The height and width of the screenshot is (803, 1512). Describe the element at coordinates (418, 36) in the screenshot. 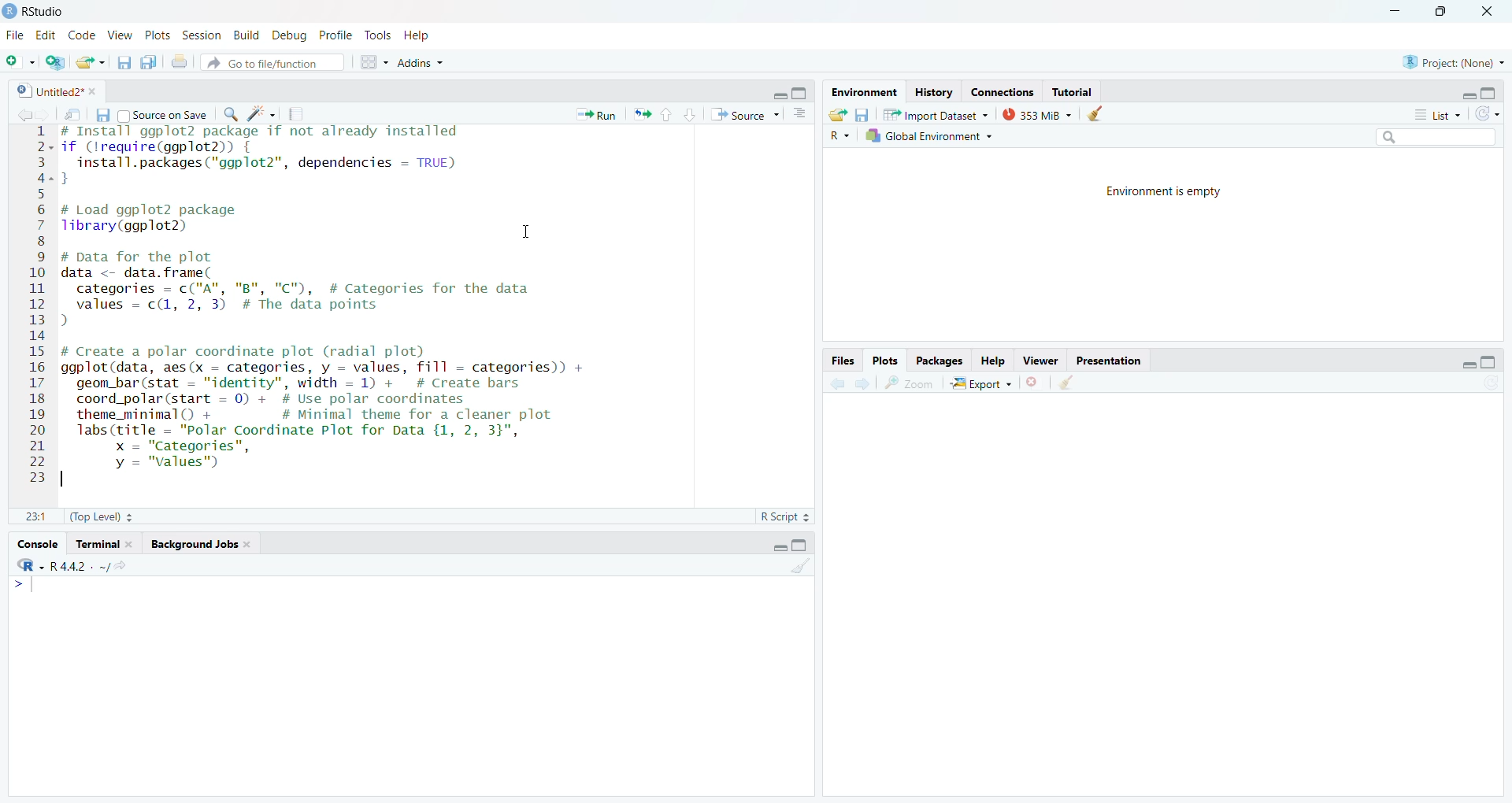

I see `Help` at that location.